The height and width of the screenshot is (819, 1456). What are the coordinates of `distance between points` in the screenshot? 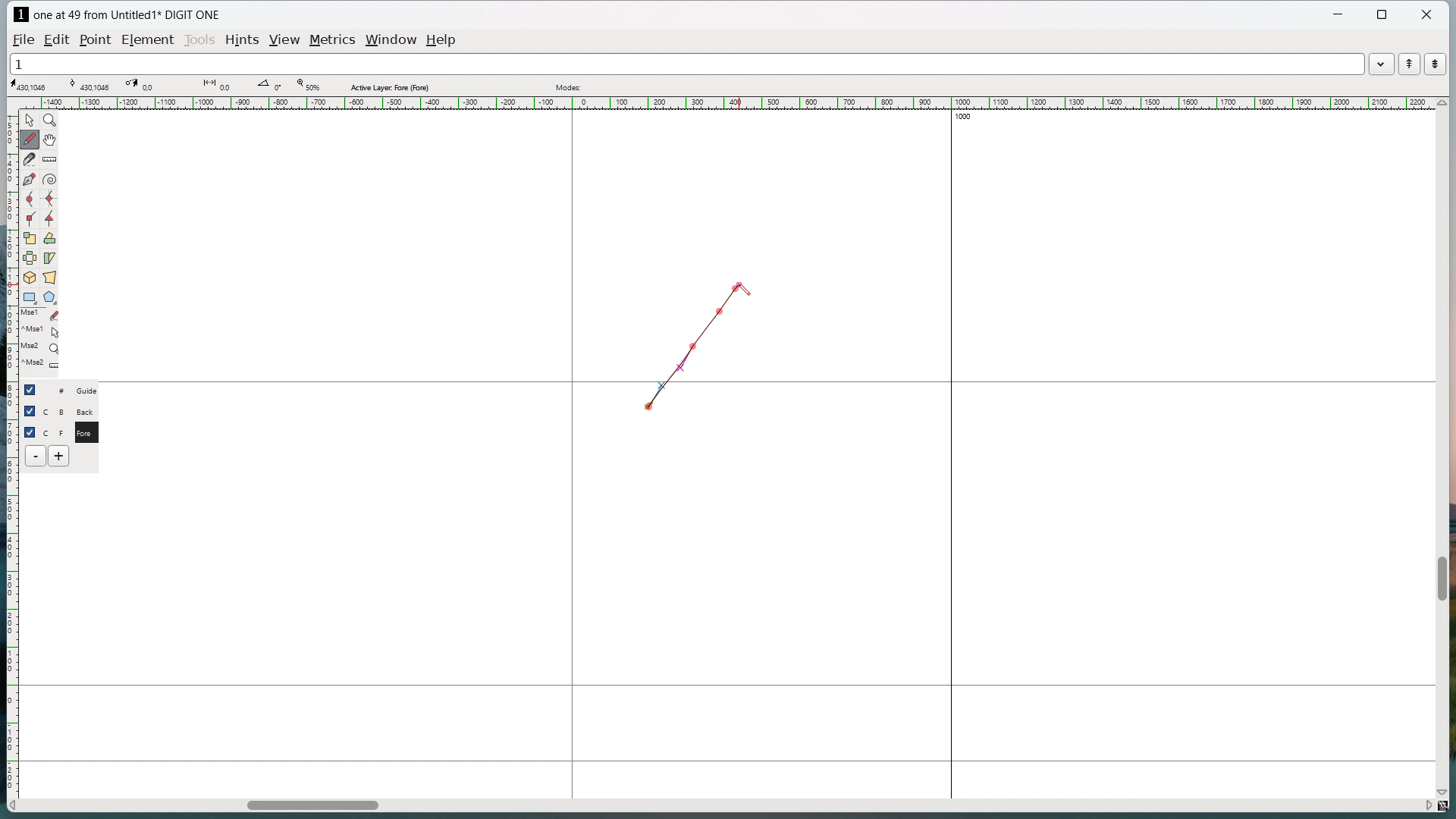 It's located at (219, 85).